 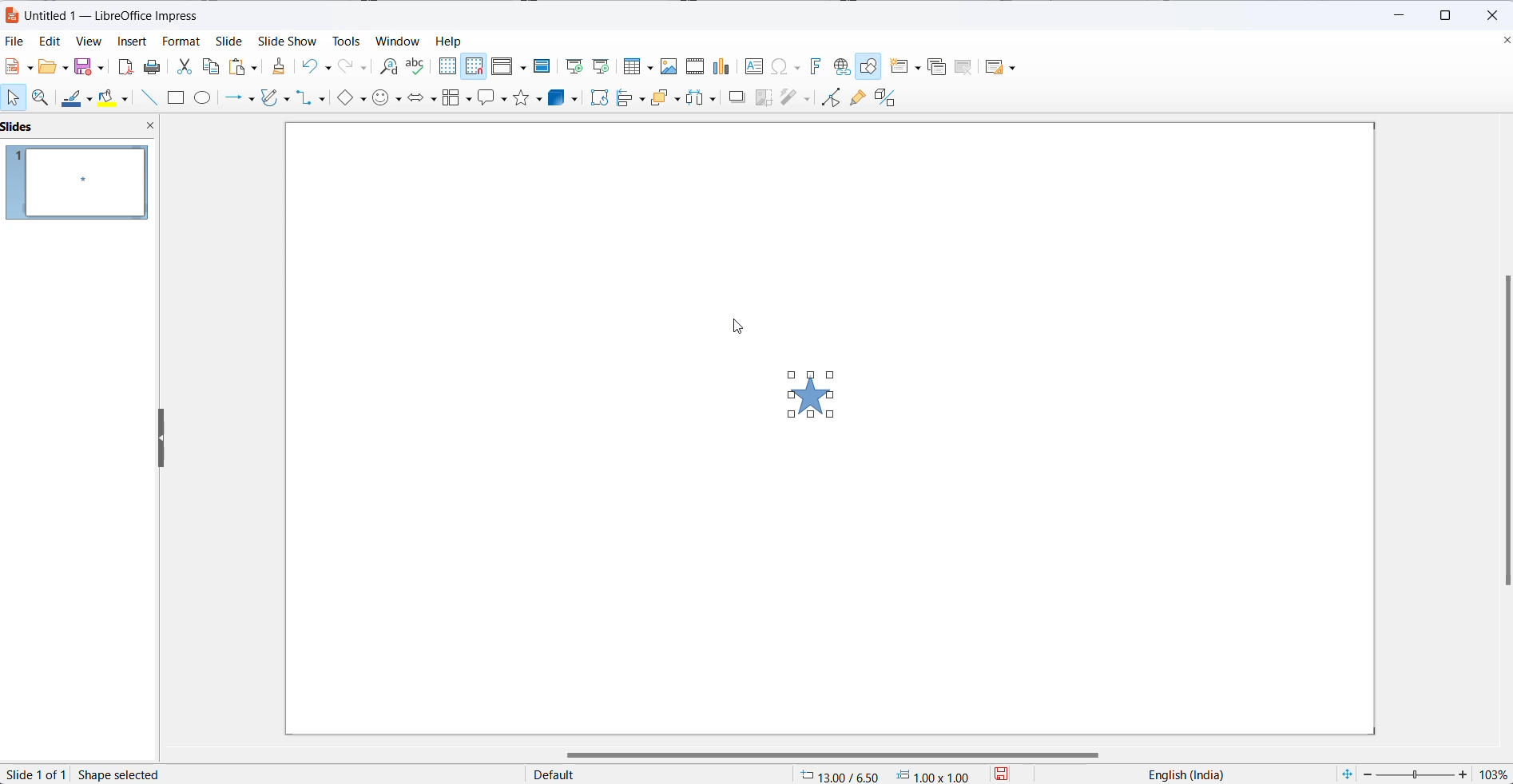 What do you see at coordinates (841, 66) in the screenshot?
I see `insert hyperlink` at bounding box center [841, 66].